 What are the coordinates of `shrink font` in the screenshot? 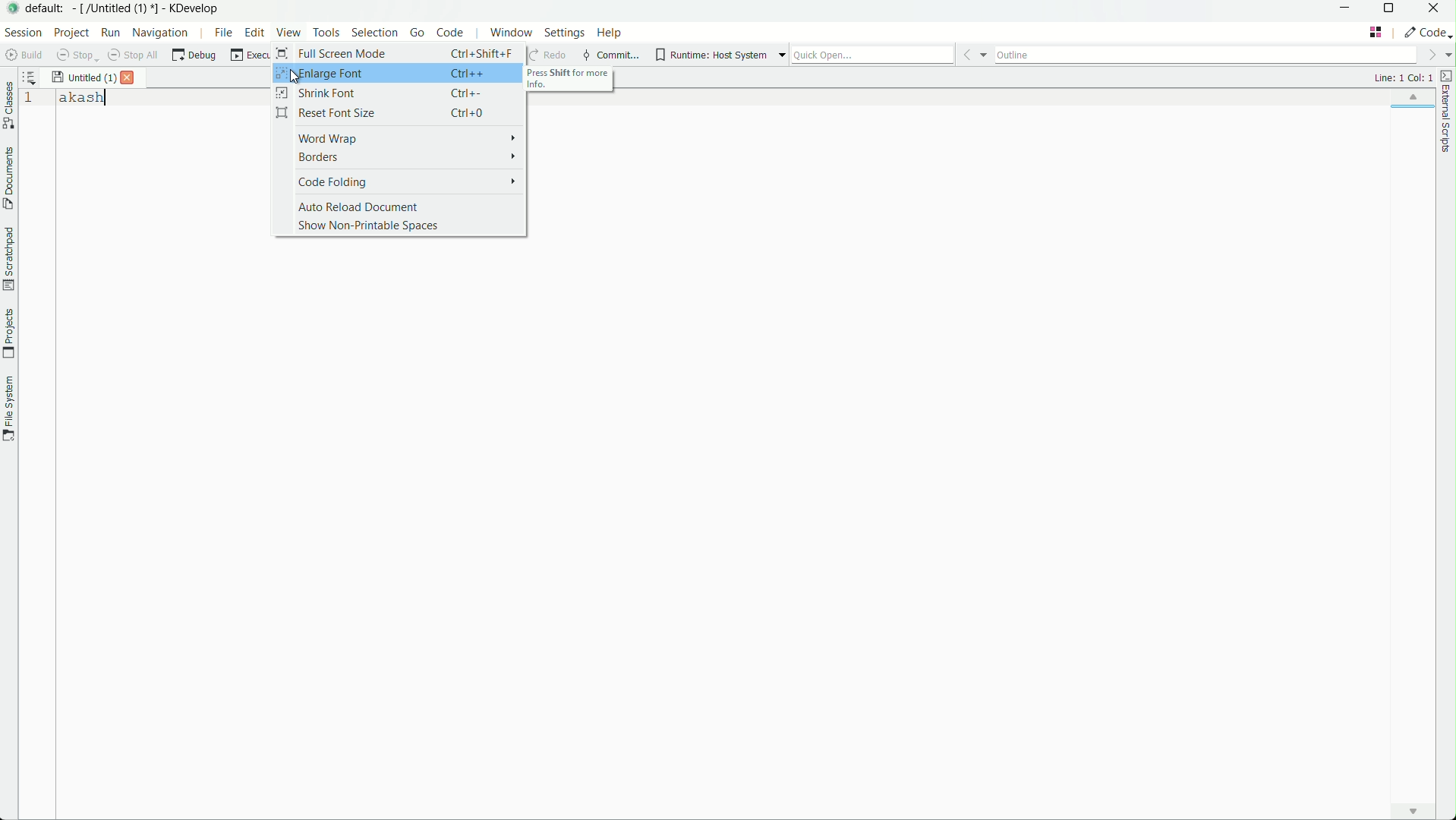 It's located at (400, 93).